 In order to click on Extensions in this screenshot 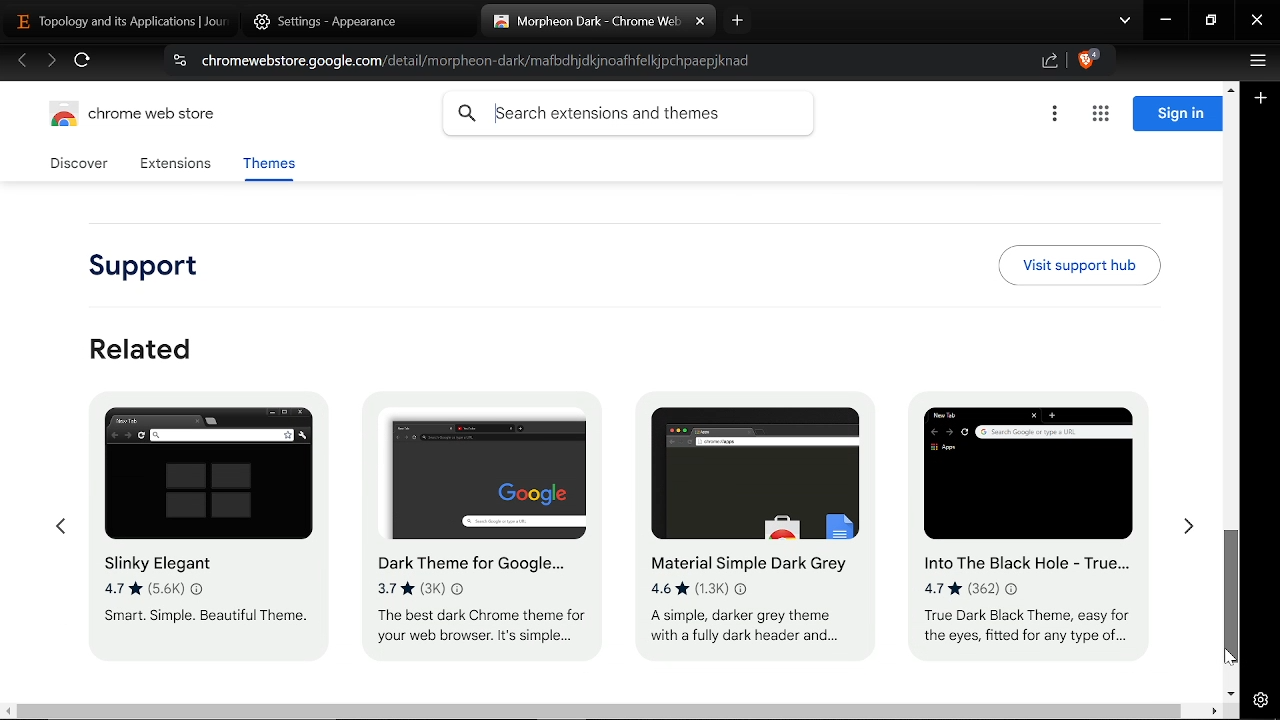, I will do `click(175, 165)`.